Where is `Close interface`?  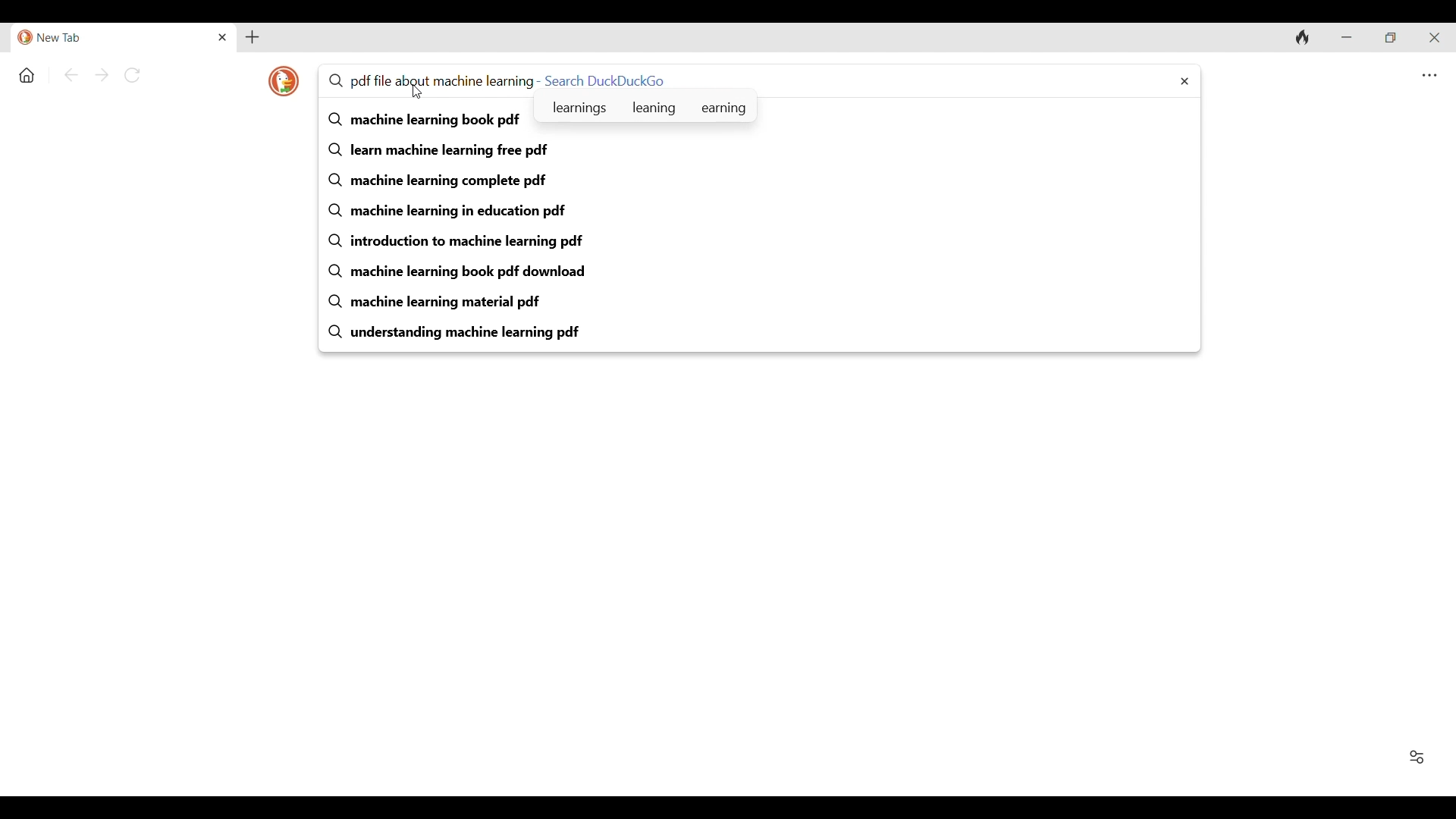 Close interface is located at coordinates (1434, 37).